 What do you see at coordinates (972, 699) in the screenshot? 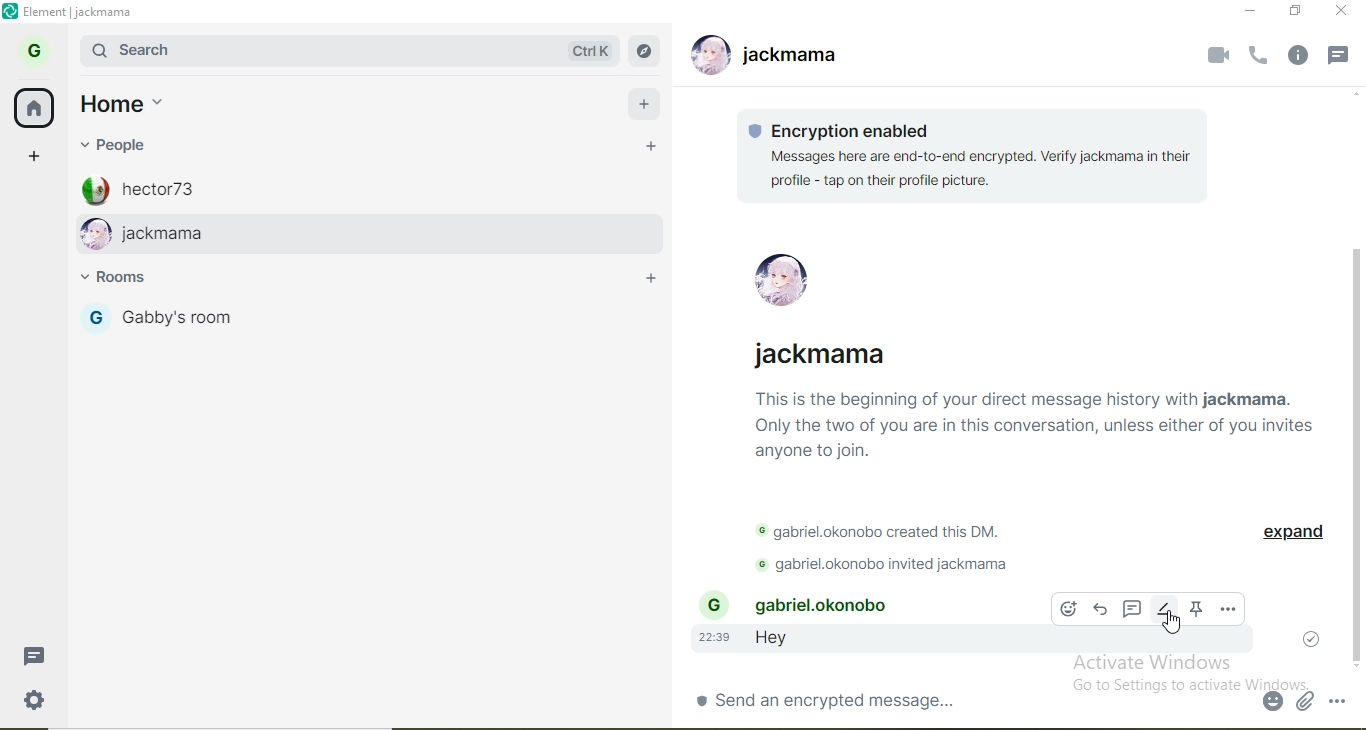
I see `chatbox` at bounding box center [972, 699].